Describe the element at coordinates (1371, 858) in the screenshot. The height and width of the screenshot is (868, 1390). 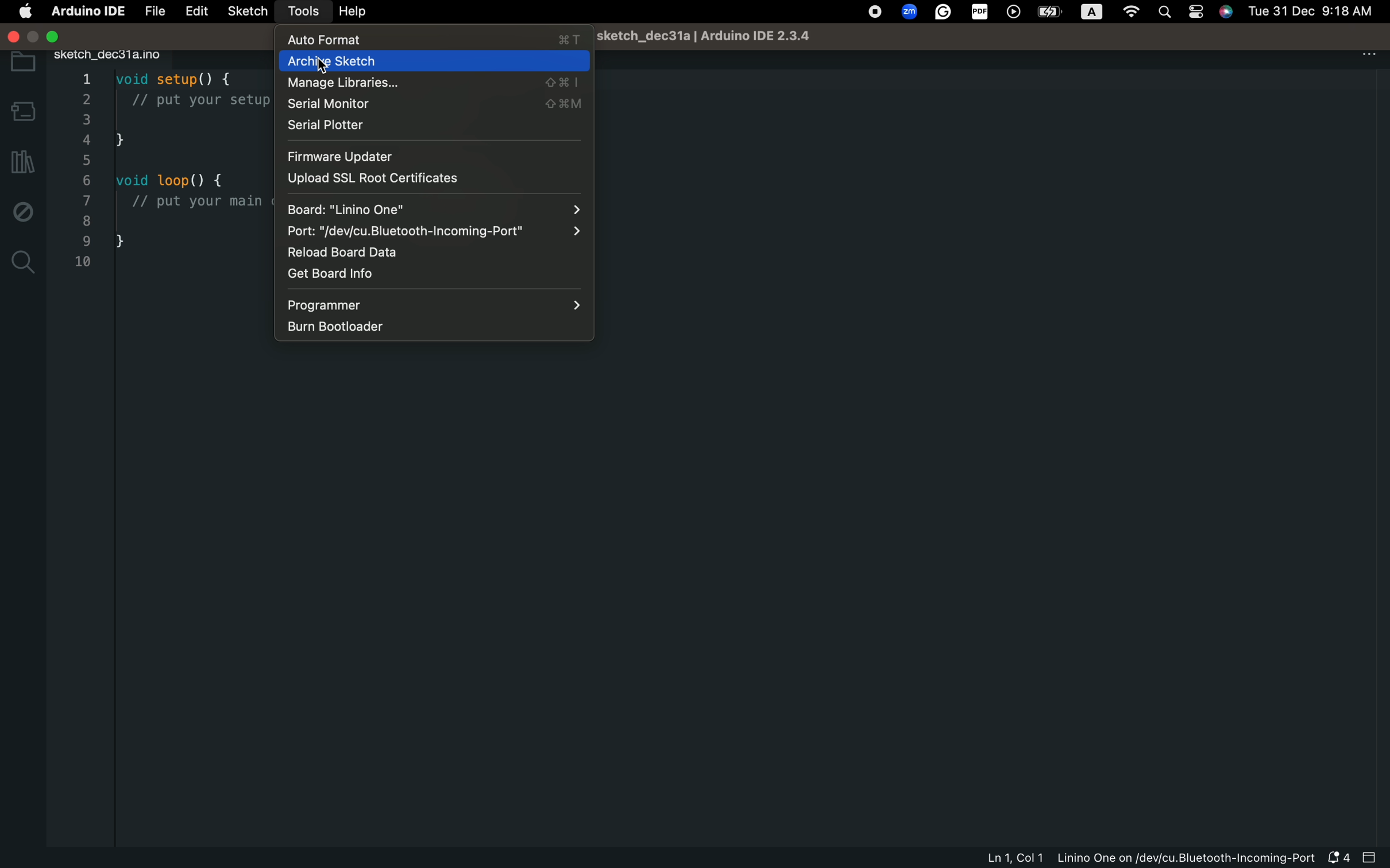
I see `close bar` at that location.